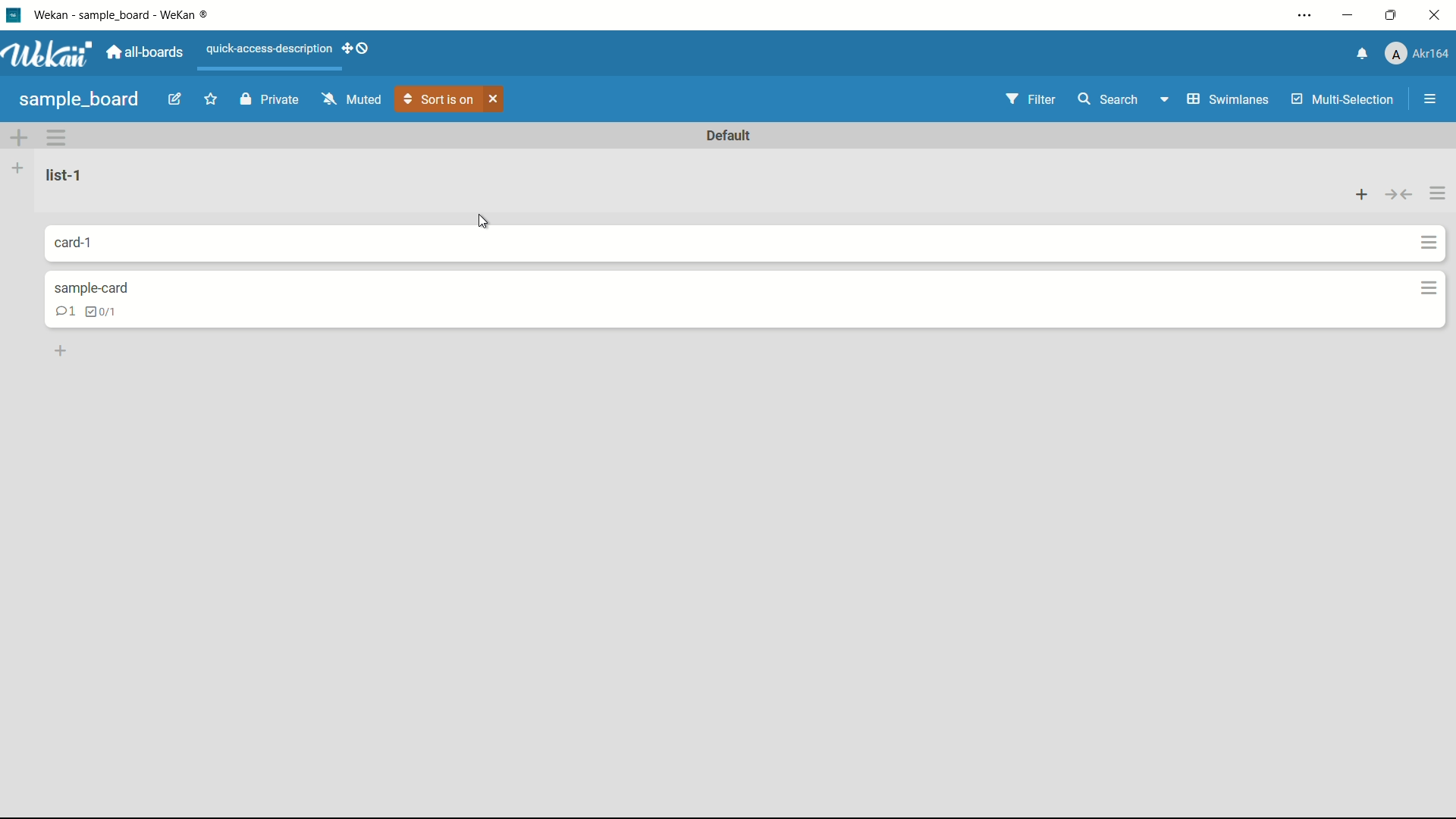 The image size is (1456, 819). What do you see at coordinates (1363, 54) in the screenshot?
I see `notifications` at bounding box center [1363, 54].